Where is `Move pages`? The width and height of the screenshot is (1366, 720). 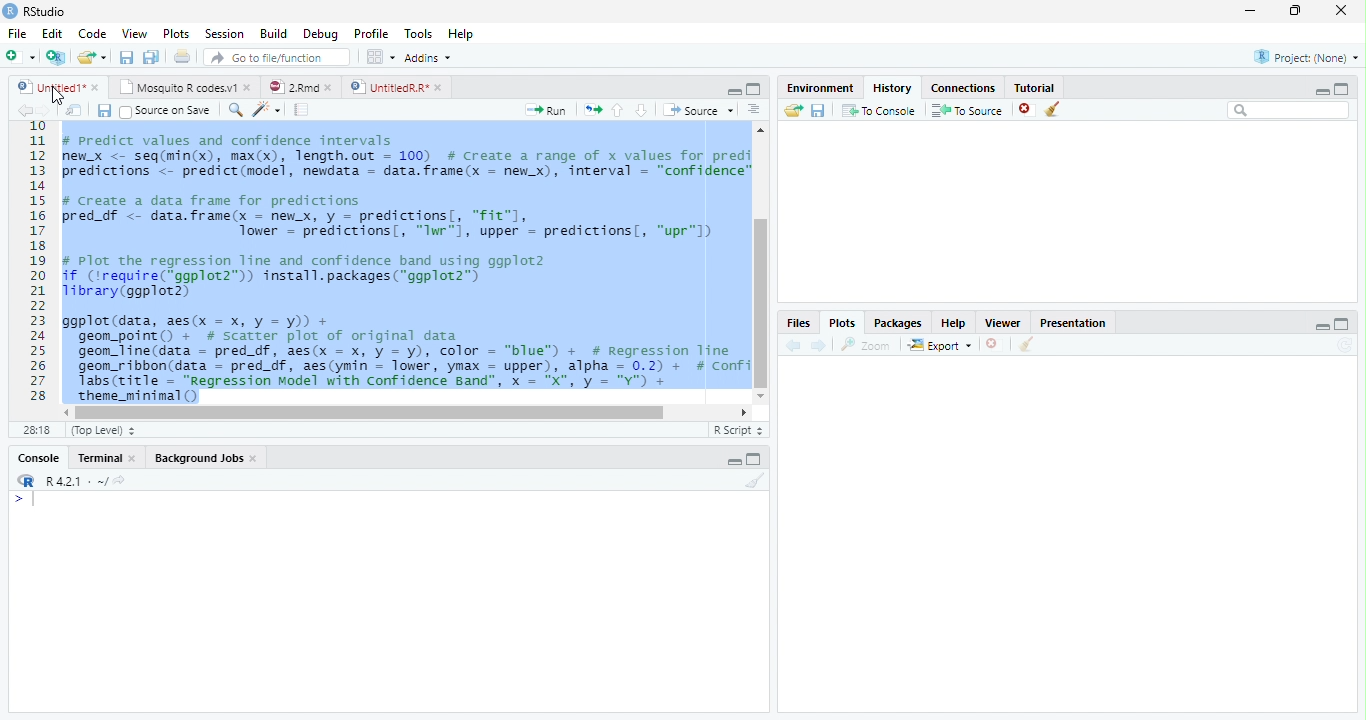
Move pages is located at coordinates (590, 109).